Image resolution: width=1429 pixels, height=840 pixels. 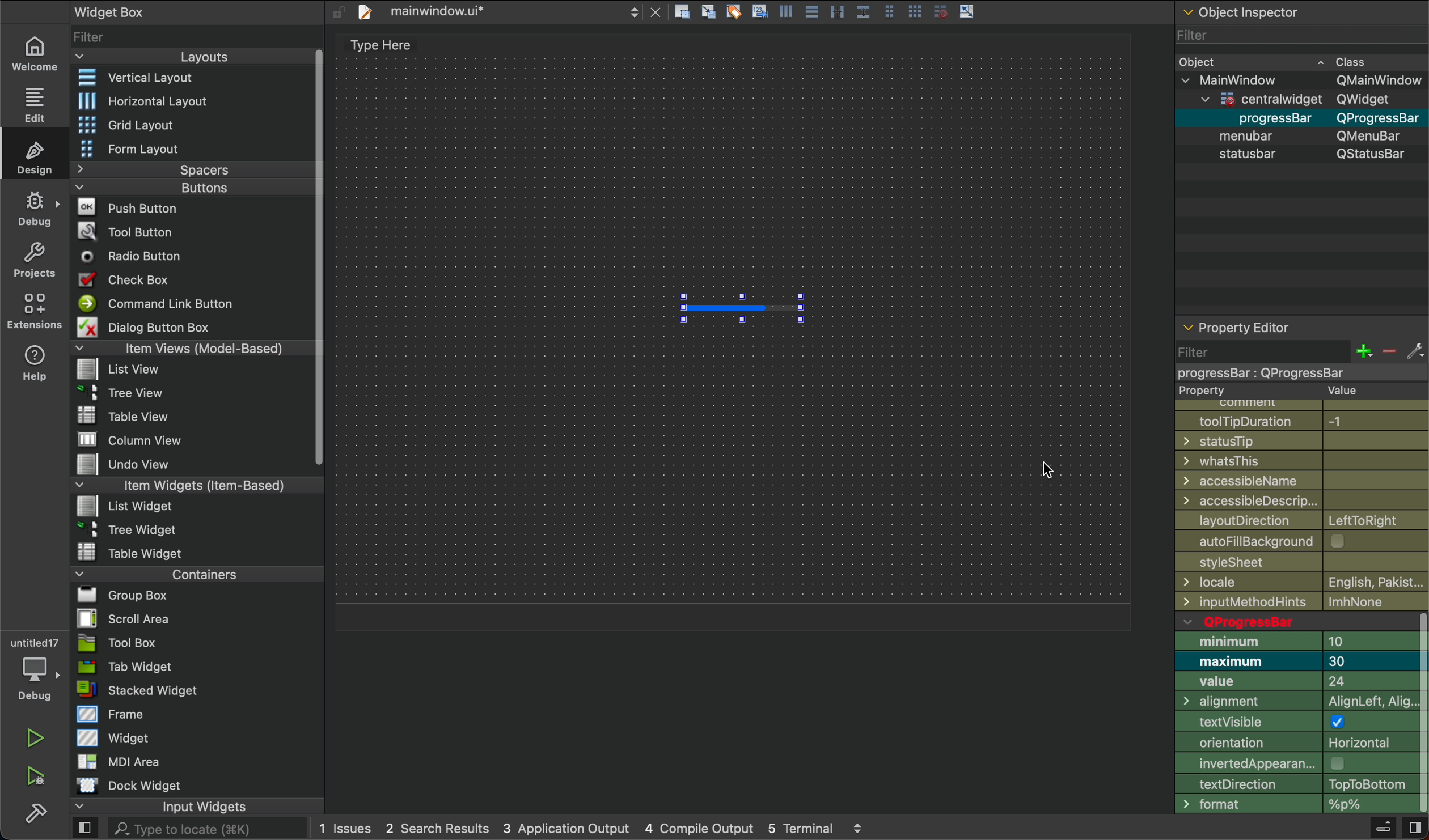 I want to click on run, so click(x=36, y=738).